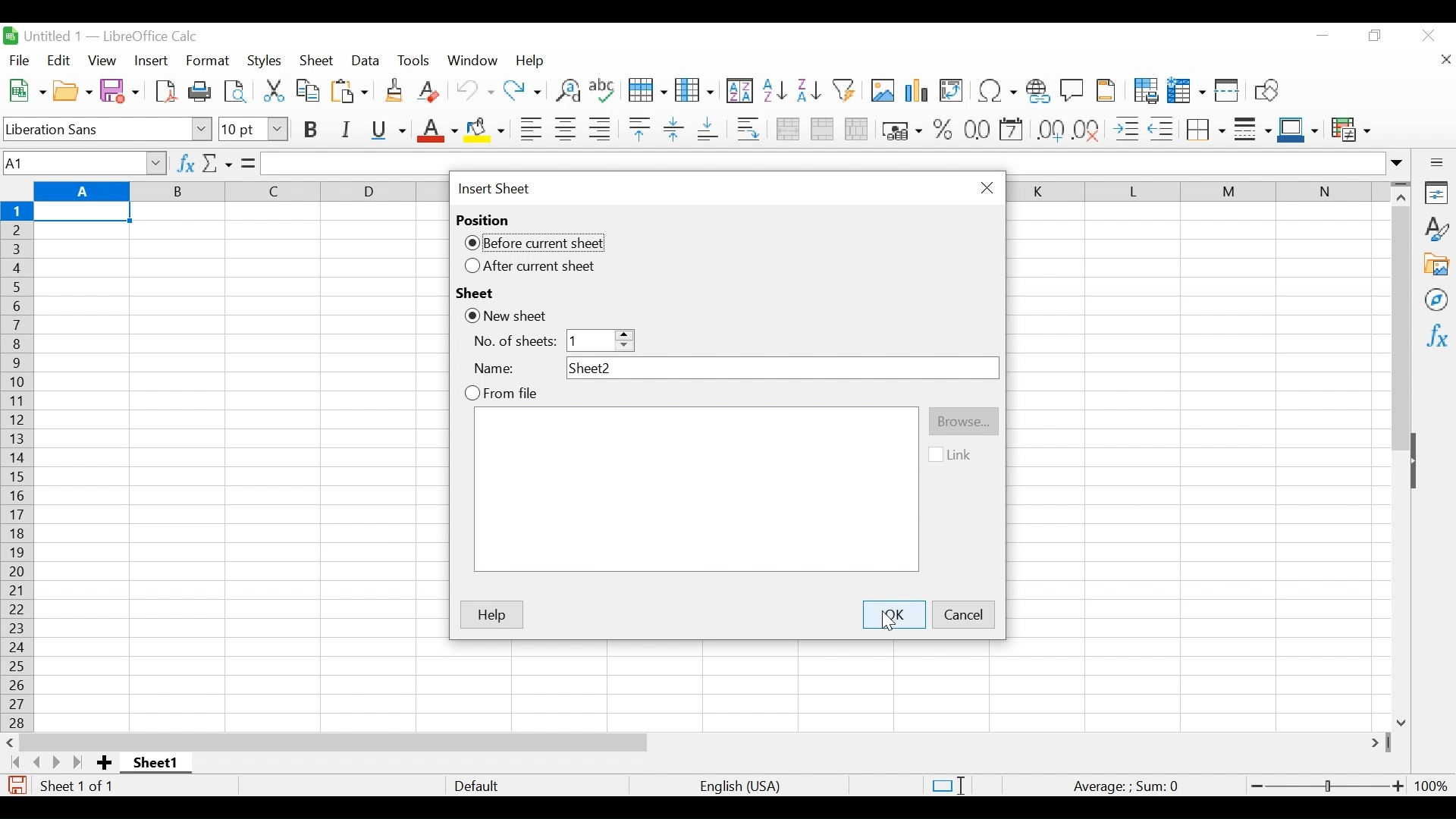 The image size is (1456, 819). I want to click on Insert Image, so click(880, 91).